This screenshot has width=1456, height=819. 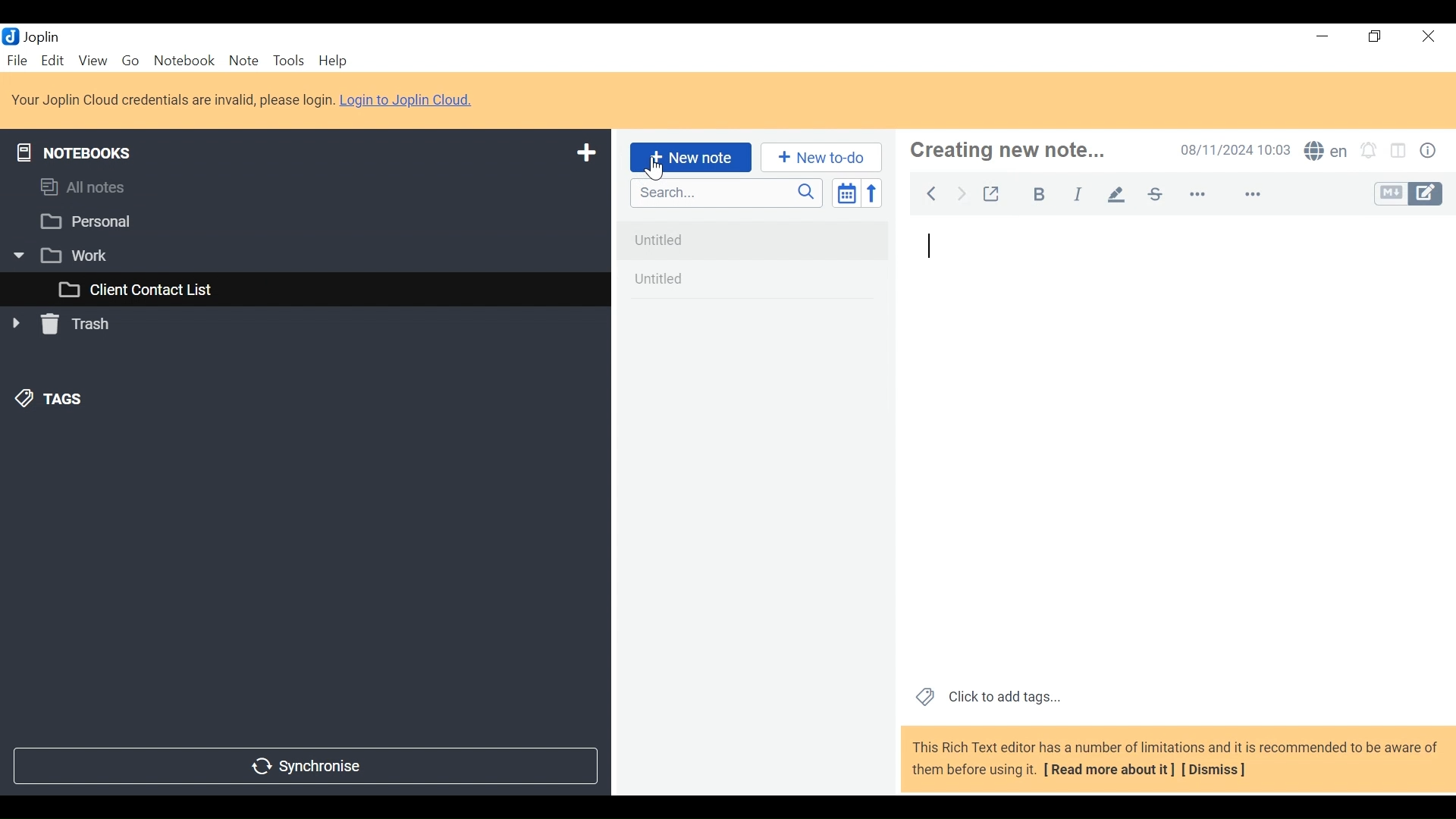 I want to click on View, so click(x=93, y=61).